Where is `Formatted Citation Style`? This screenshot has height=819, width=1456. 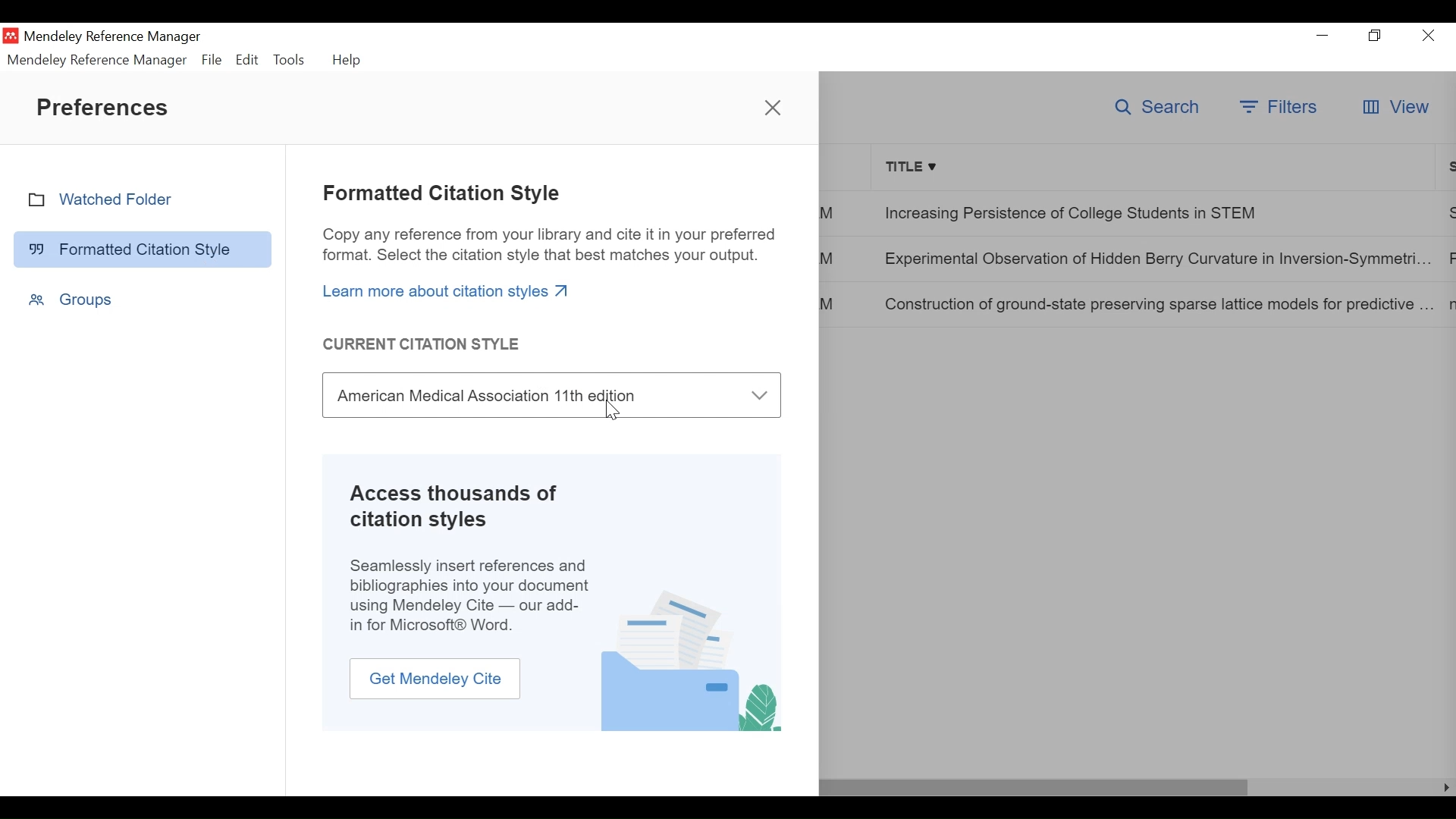 Formatted Citation Style is located at coordinates (143, 248).